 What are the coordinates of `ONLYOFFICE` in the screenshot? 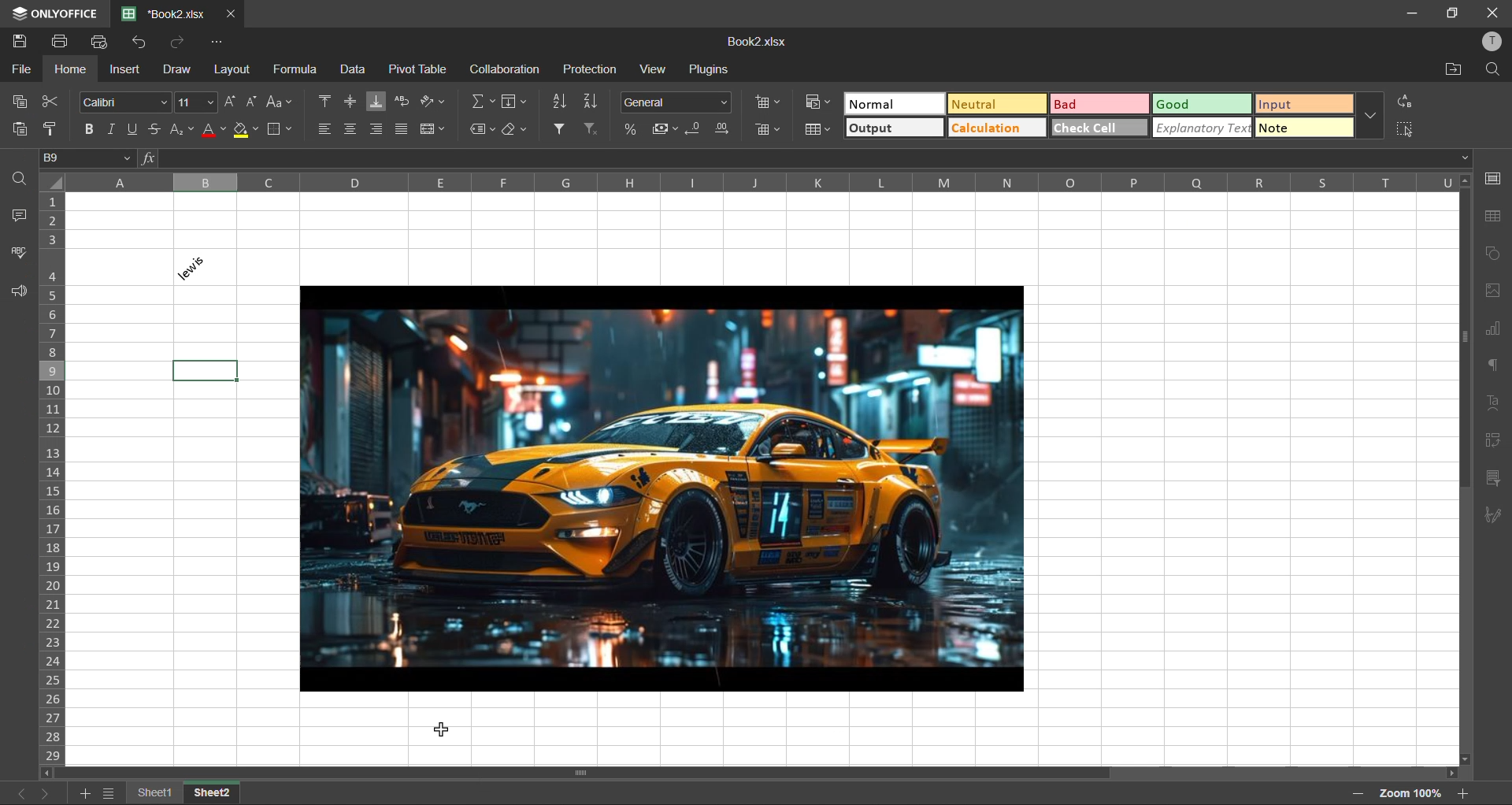 It's located at (70, 15).